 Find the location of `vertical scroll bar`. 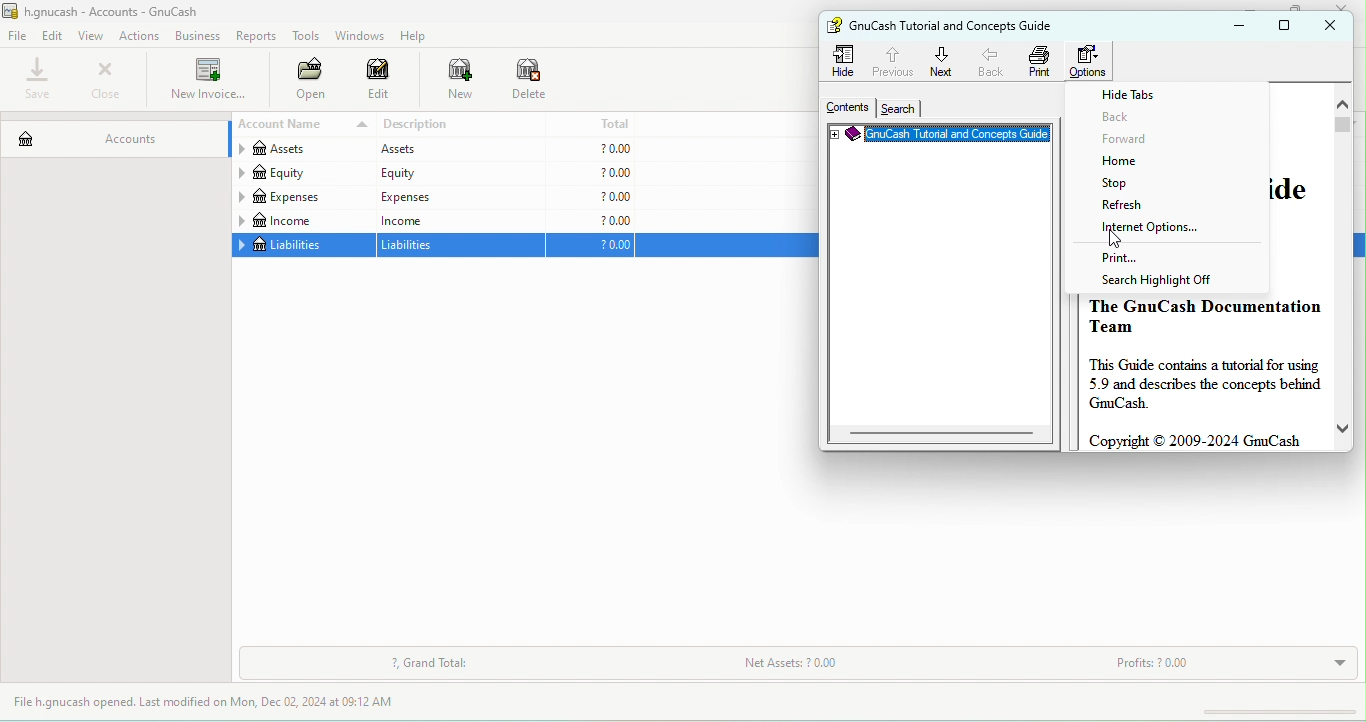

vertical scroll bar is located at coordinates (1341, 124).